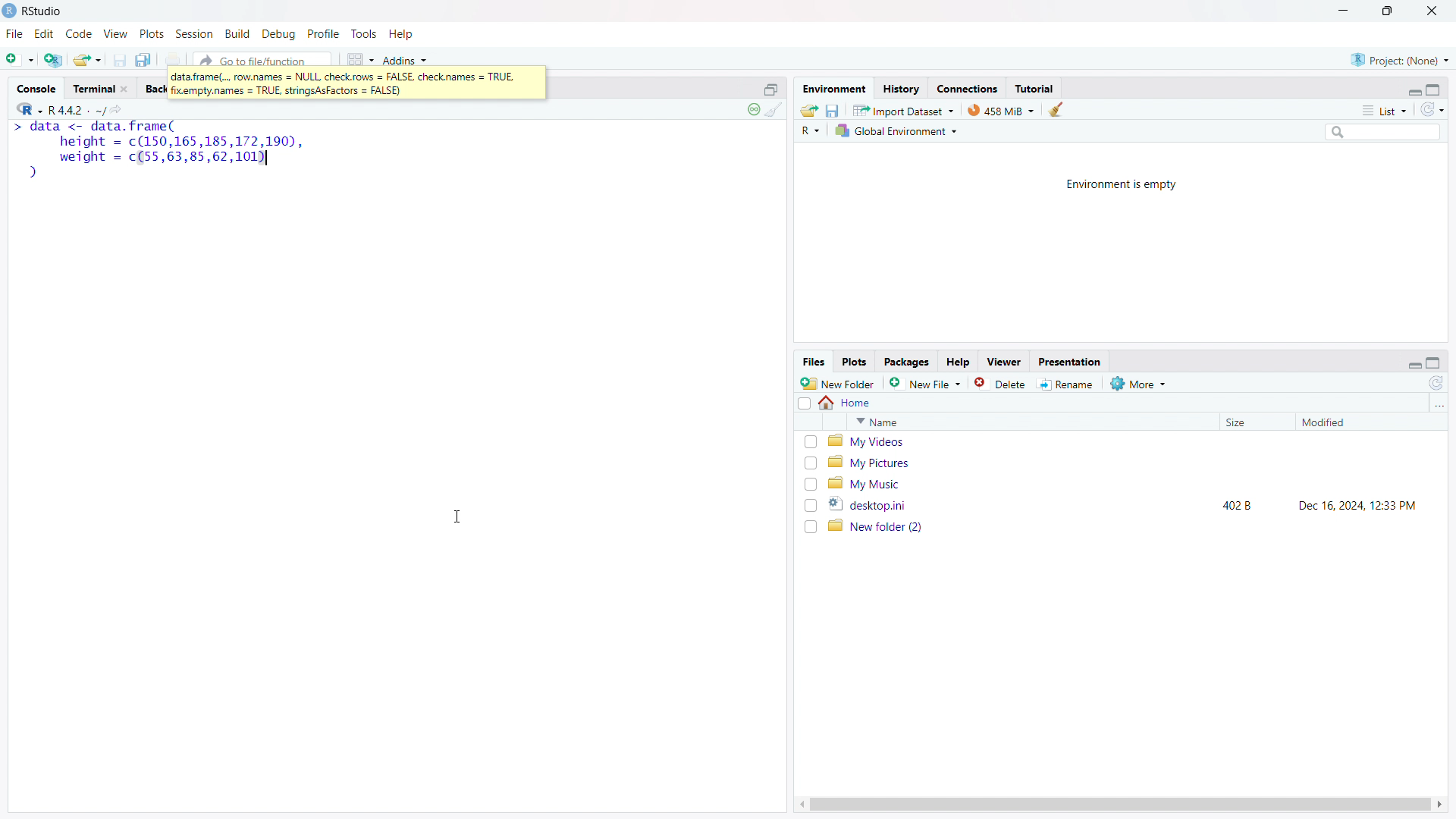 This screenshot has width=1456, height=819. Describe the element at coordinates (54, 58) in the screenshot. I see `create a project` at that location.